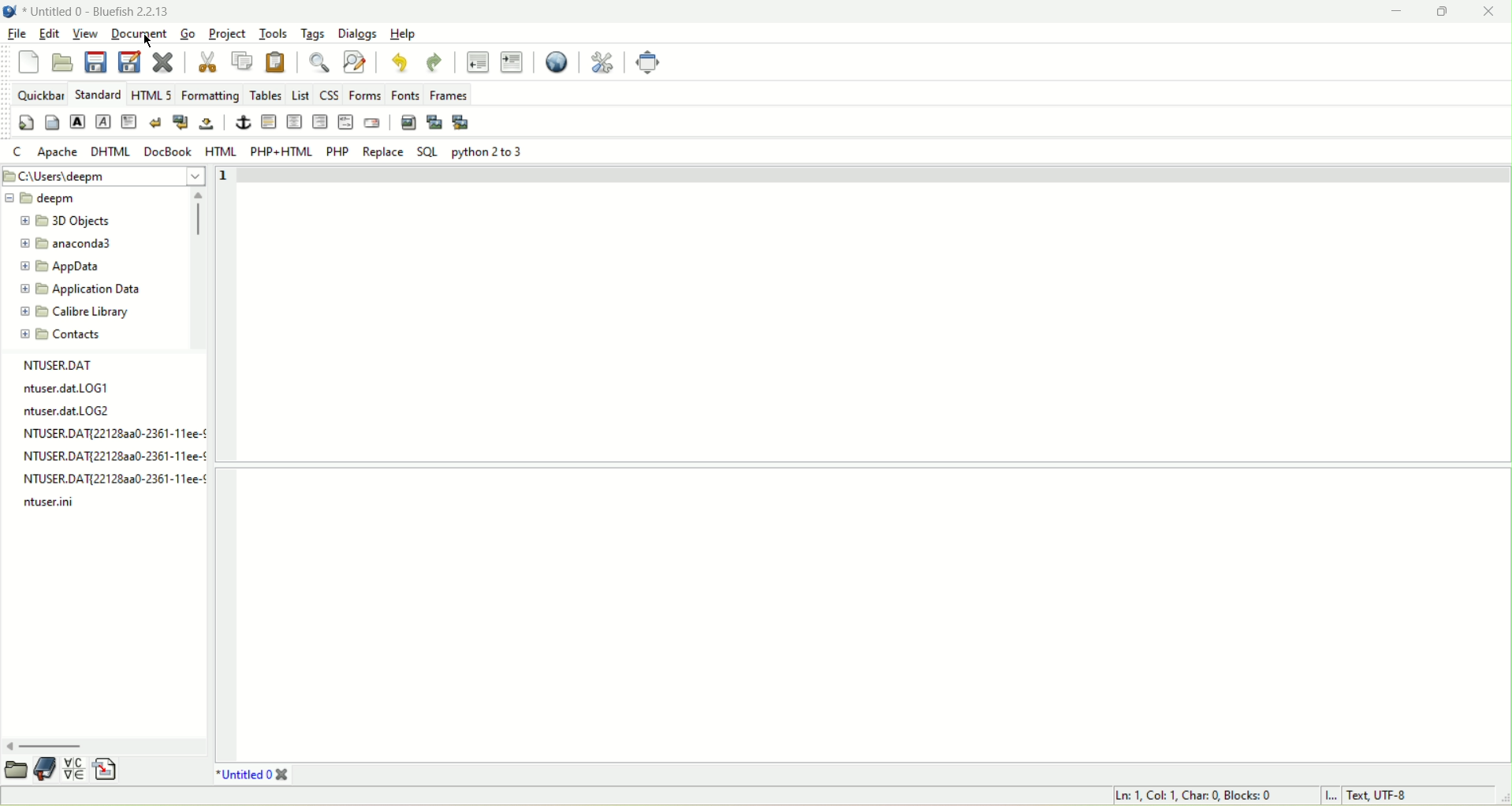 Image resolution: width=1512 pixels, height=806 pixels. I want to click on quickbar, so click(41, 94).